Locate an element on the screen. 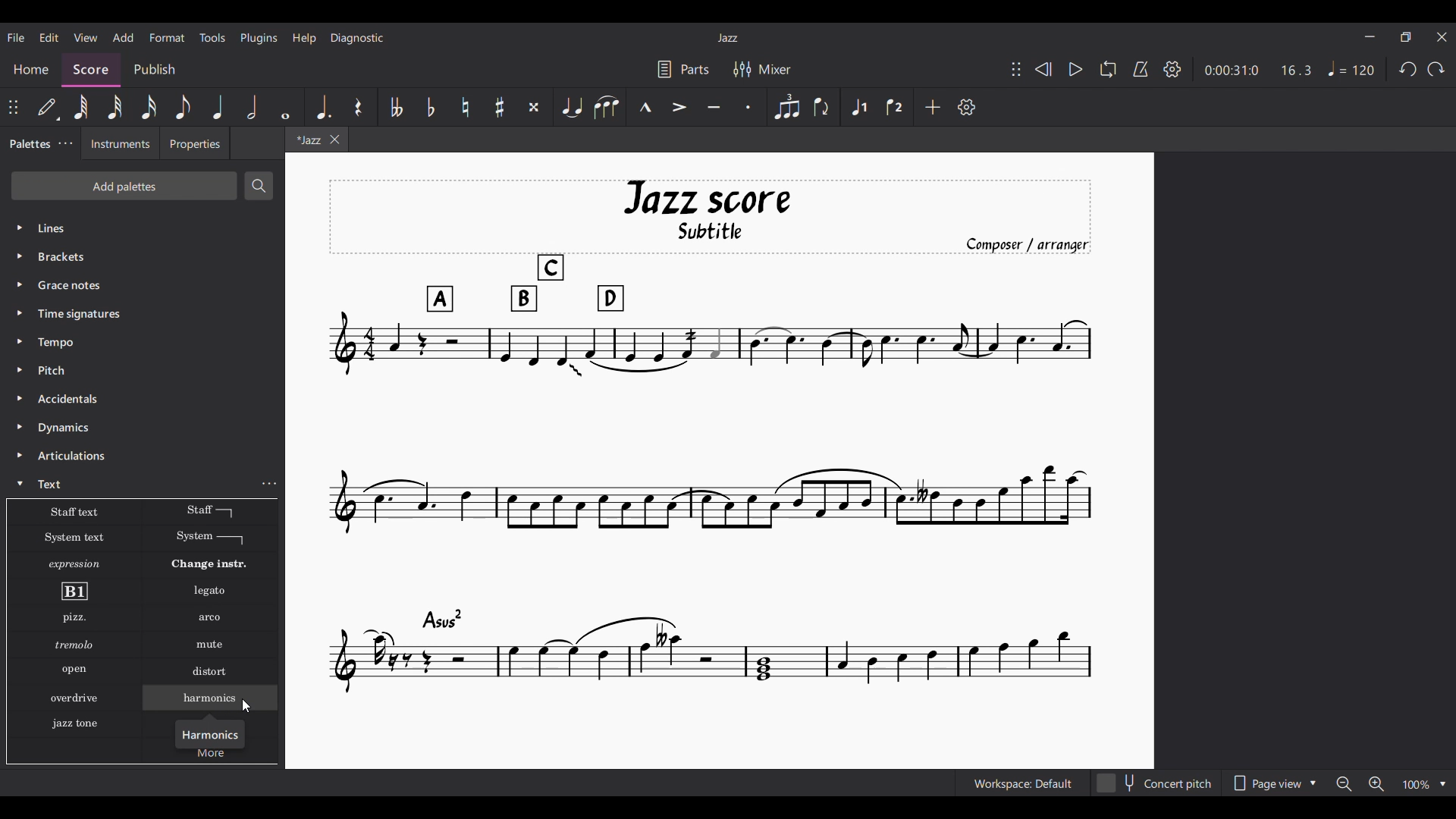 The image size is (1456, 819). 8th note is located at coordinates (184, 107).